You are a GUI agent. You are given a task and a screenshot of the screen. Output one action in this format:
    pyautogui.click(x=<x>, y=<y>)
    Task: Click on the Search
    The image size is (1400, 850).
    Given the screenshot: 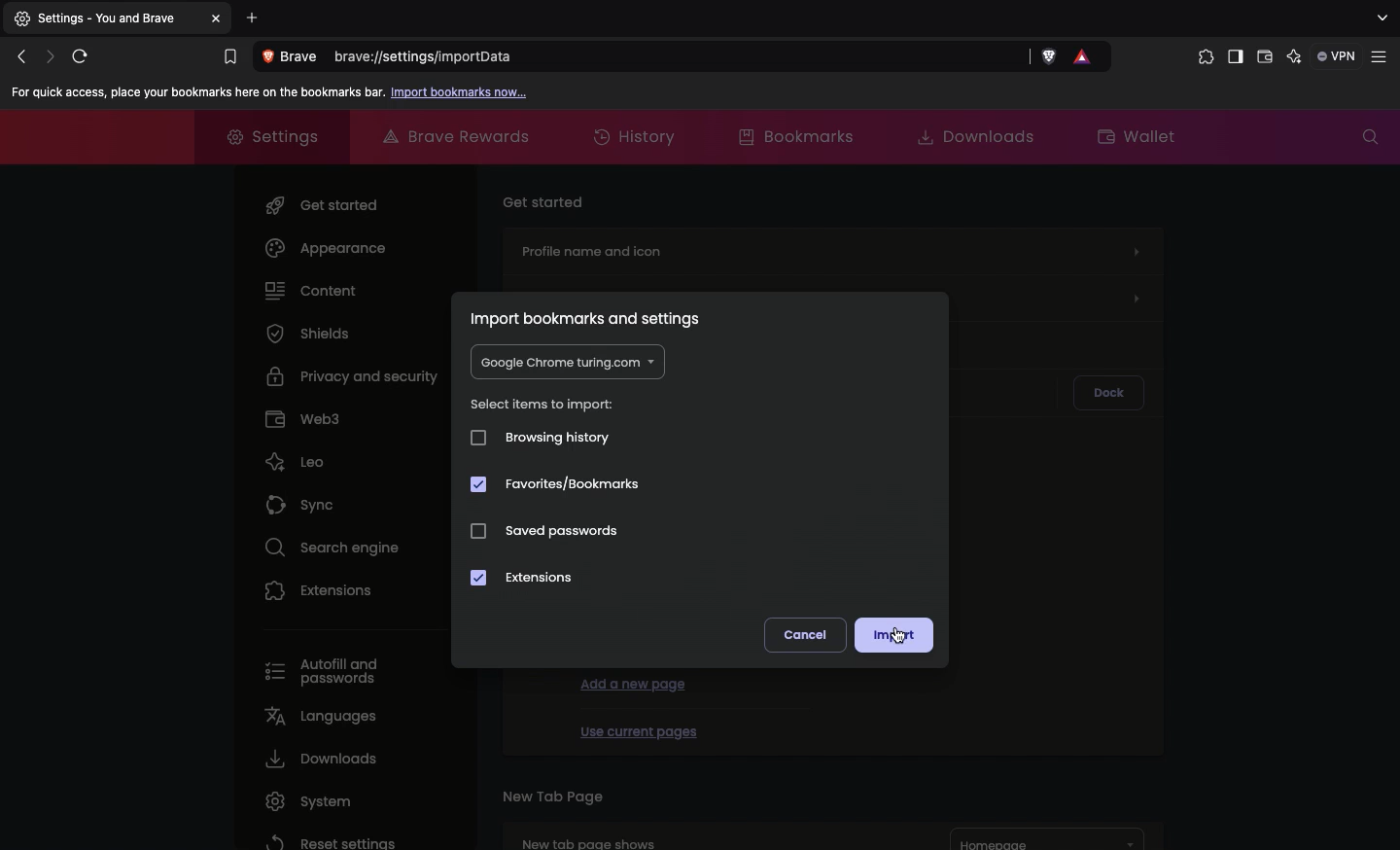 What is the action you would take?
    pyautogui.click(x=1370, y=137)
    